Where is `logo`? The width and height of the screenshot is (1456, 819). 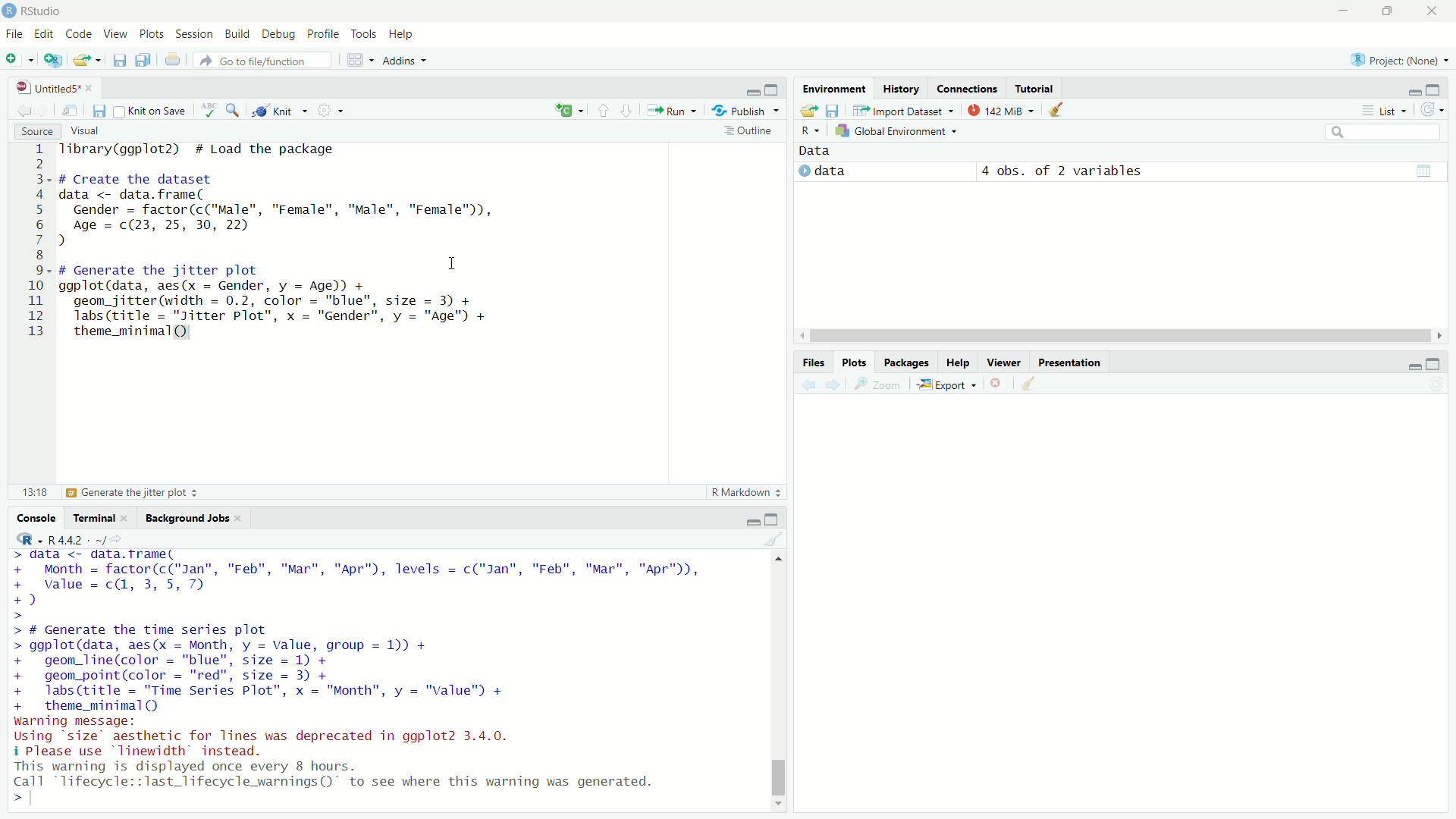
logo is located at coordinates (9, 11).